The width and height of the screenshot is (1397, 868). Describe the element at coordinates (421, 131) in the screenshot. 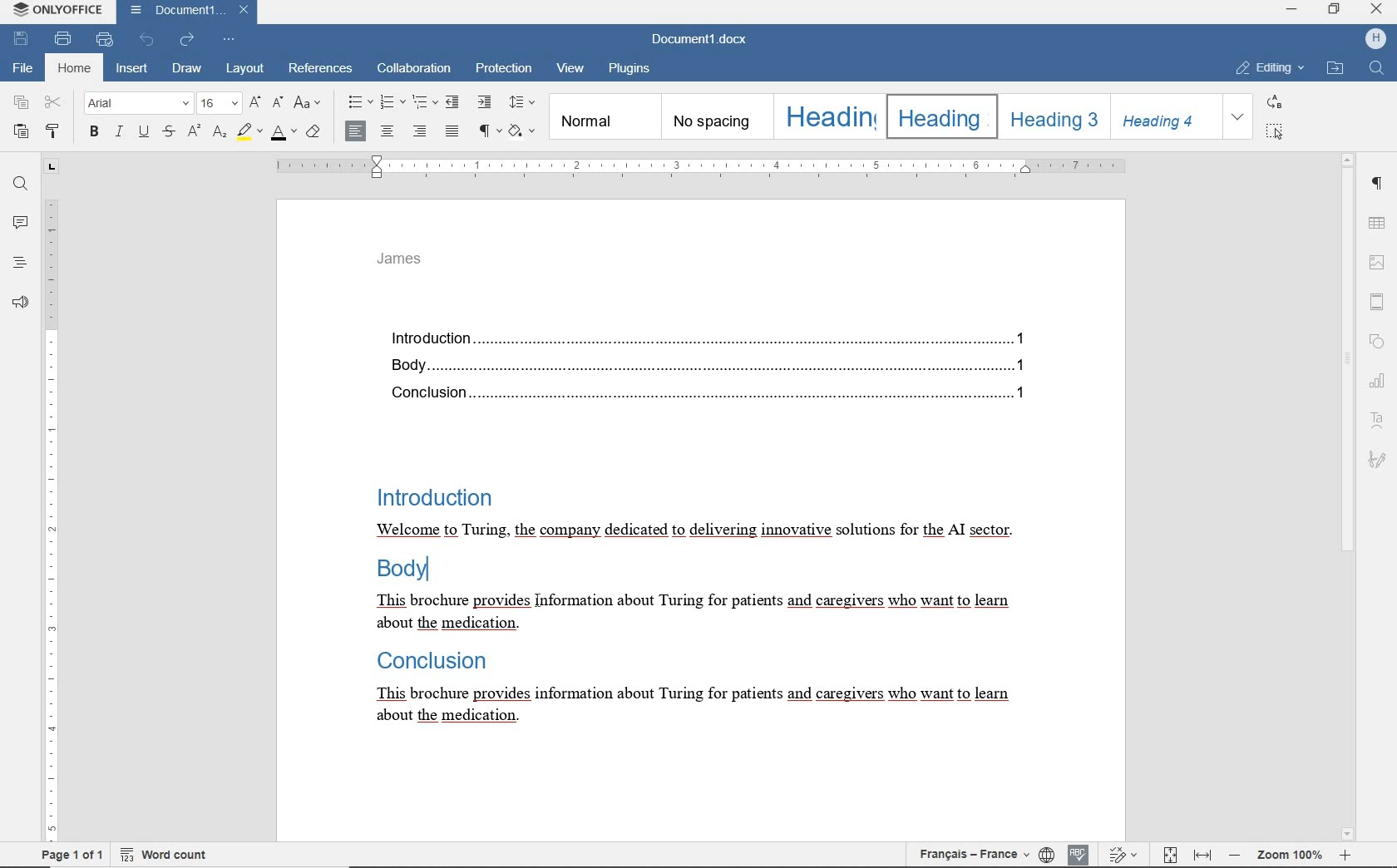

I see `ALIGN RIGHT` at that location.